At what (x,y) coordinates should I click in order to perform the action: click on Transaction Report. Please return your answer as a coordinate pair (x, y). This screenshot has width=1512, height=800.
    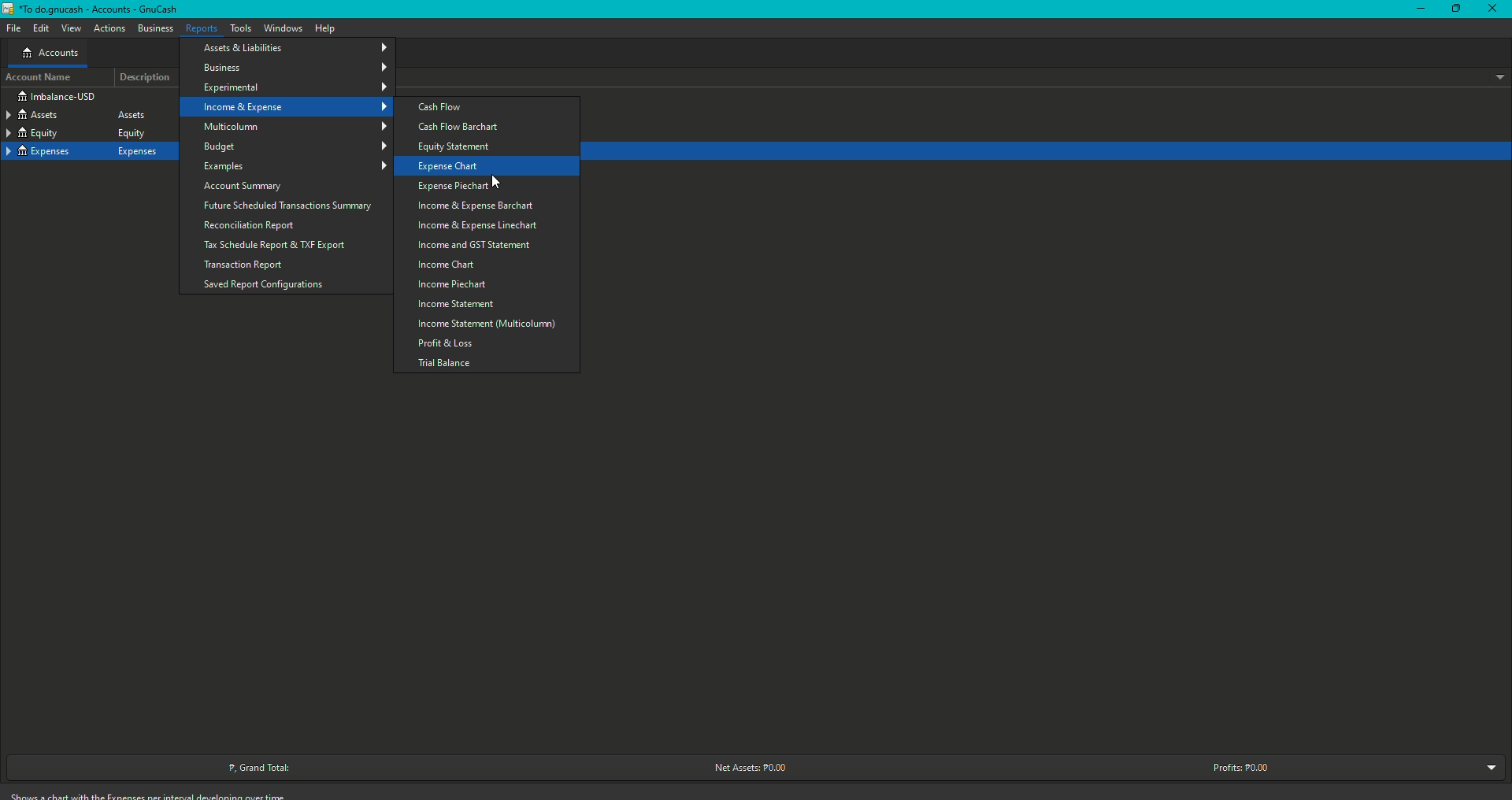
    Looking at the image, I should click on (244, 264).